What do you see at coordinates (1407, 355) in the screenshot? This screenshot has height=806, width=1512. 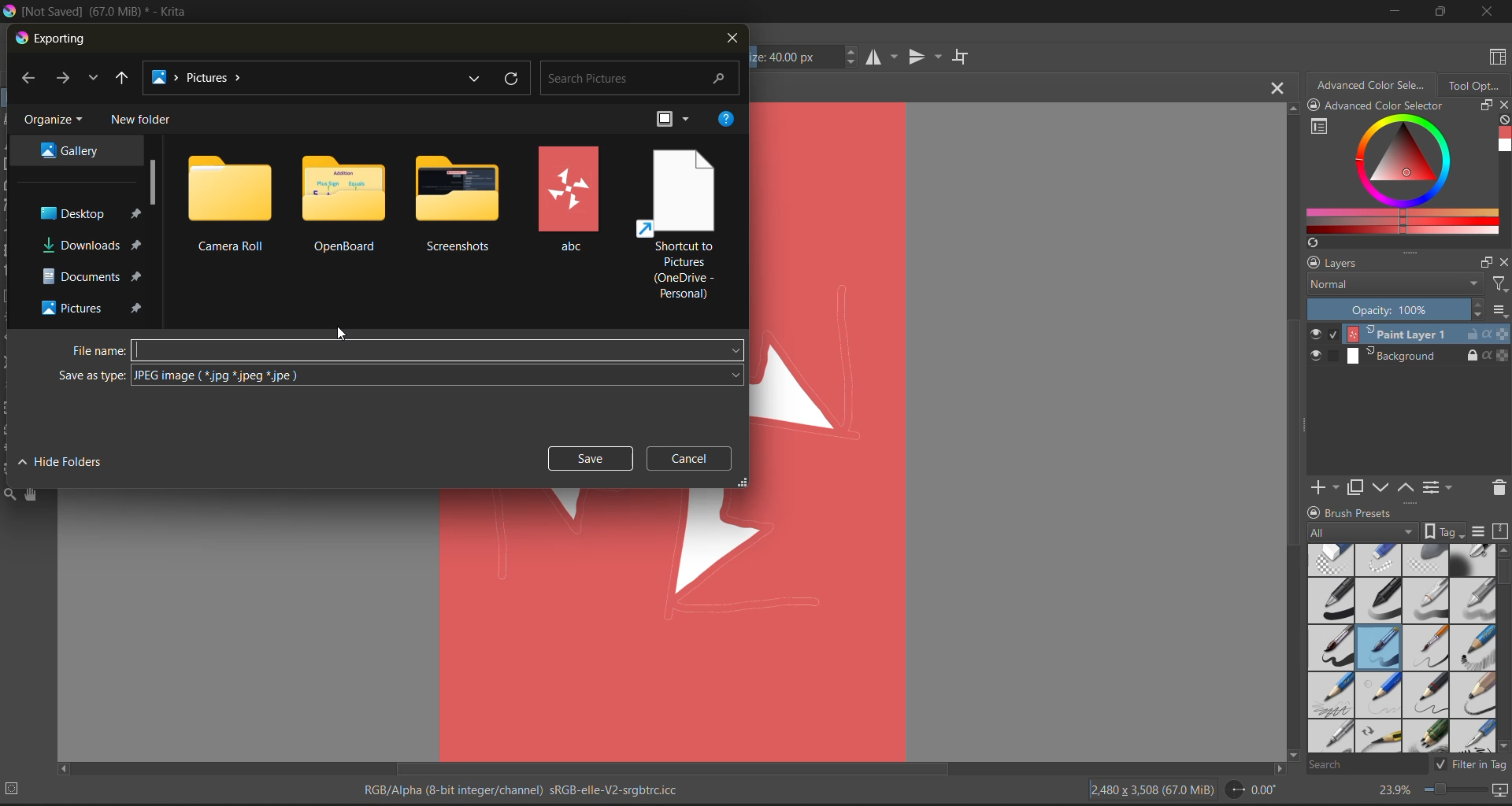 I see `layer` at bounding box center [1407, 355].